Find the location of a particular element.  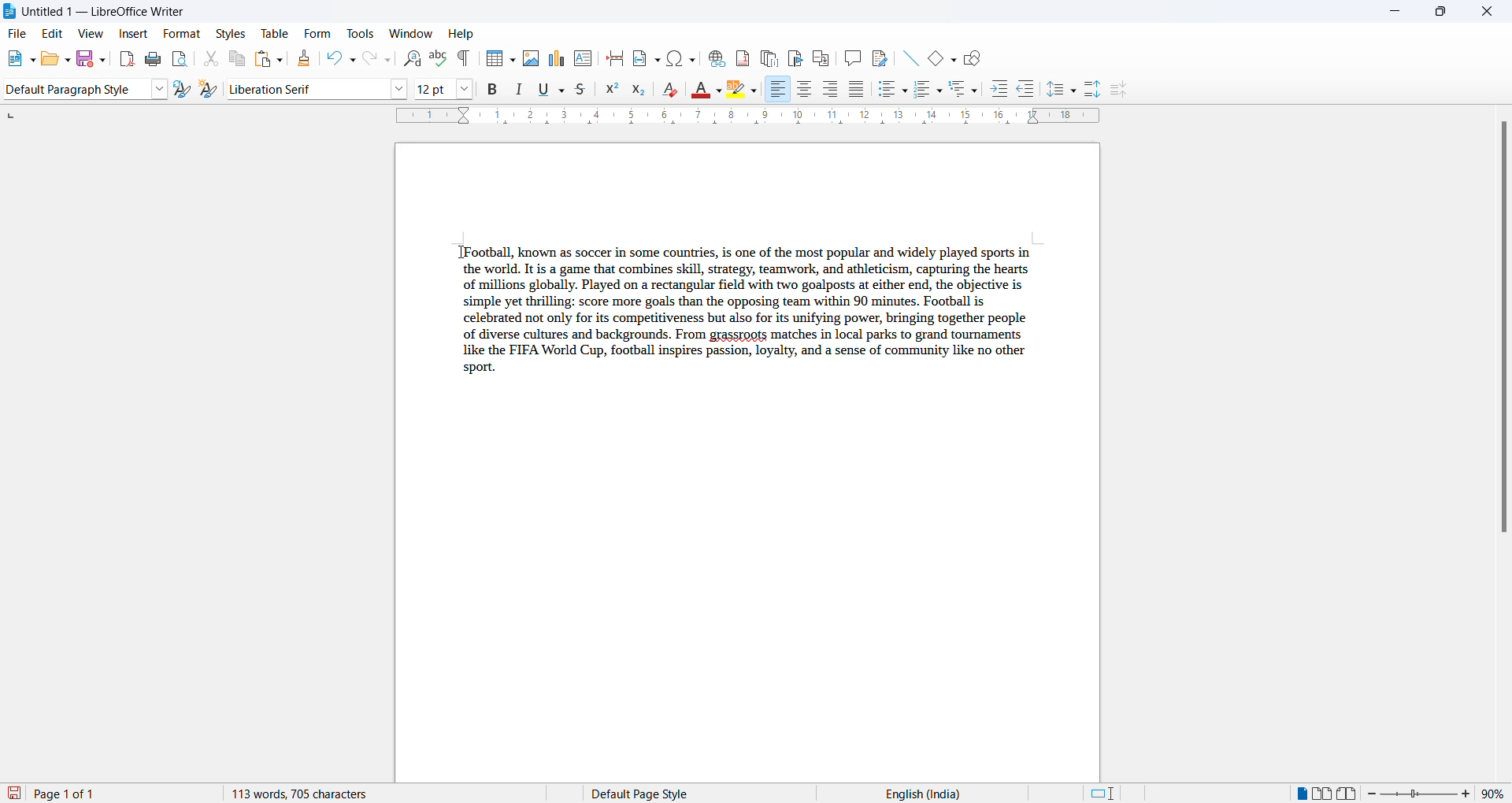

text align right is located at coordinates (780, 90).